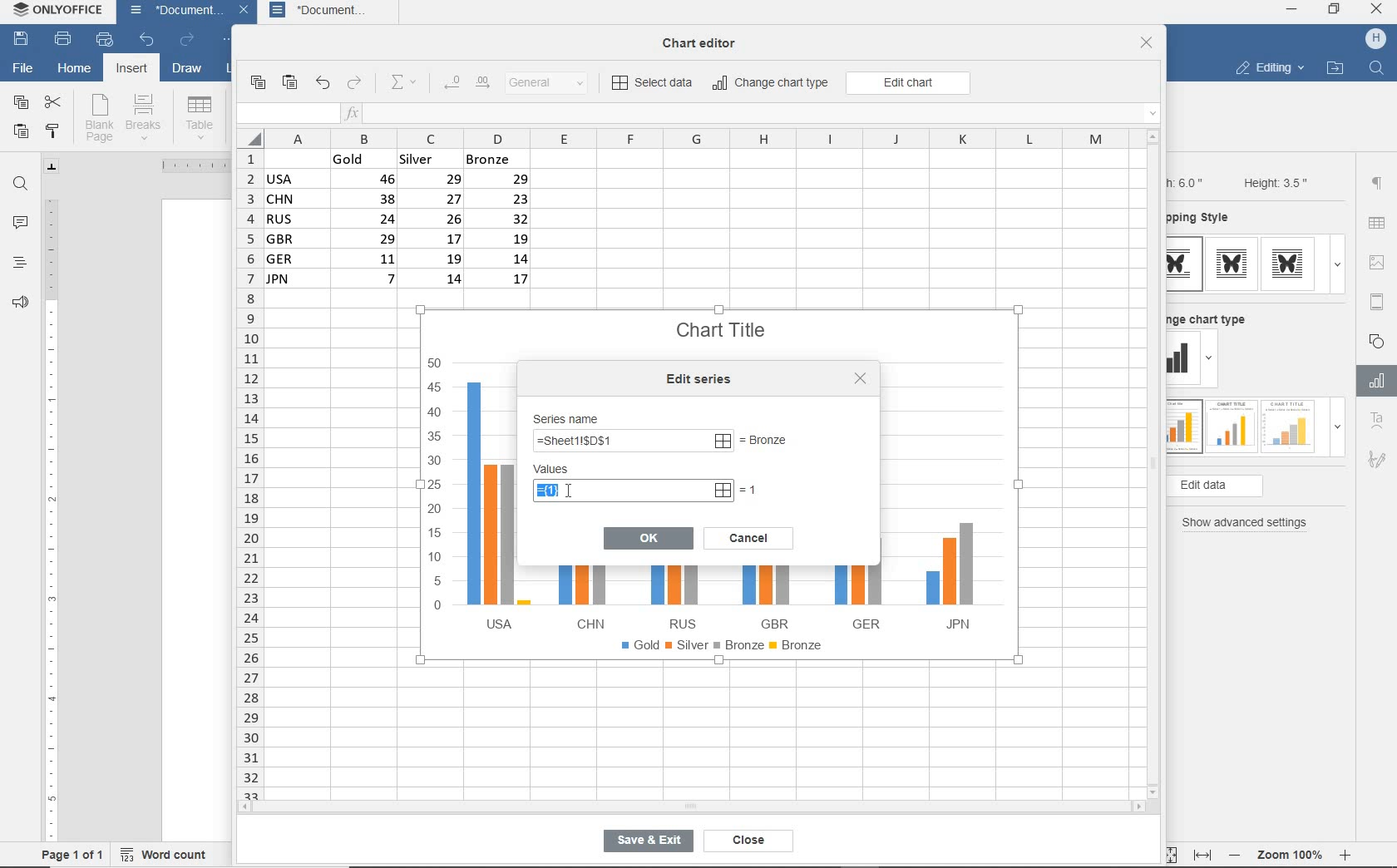 Image resolution: width=1397 pixels, height=868 pixels. Describe the element at coordinates (466, 83) in the screenshot. I see `change decimal place` at that location.